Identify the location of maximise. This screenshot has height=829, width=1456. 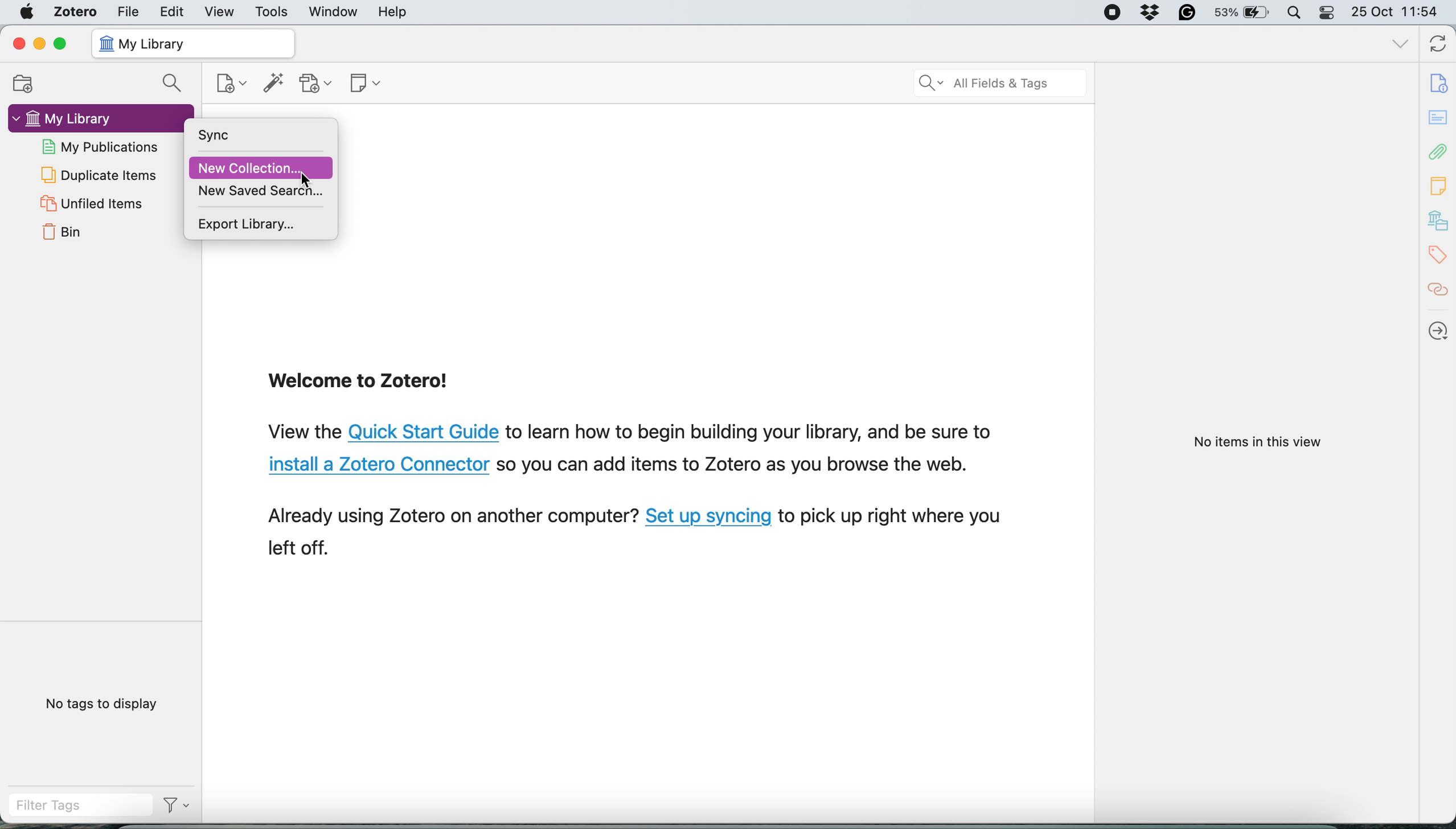
(61, 43).